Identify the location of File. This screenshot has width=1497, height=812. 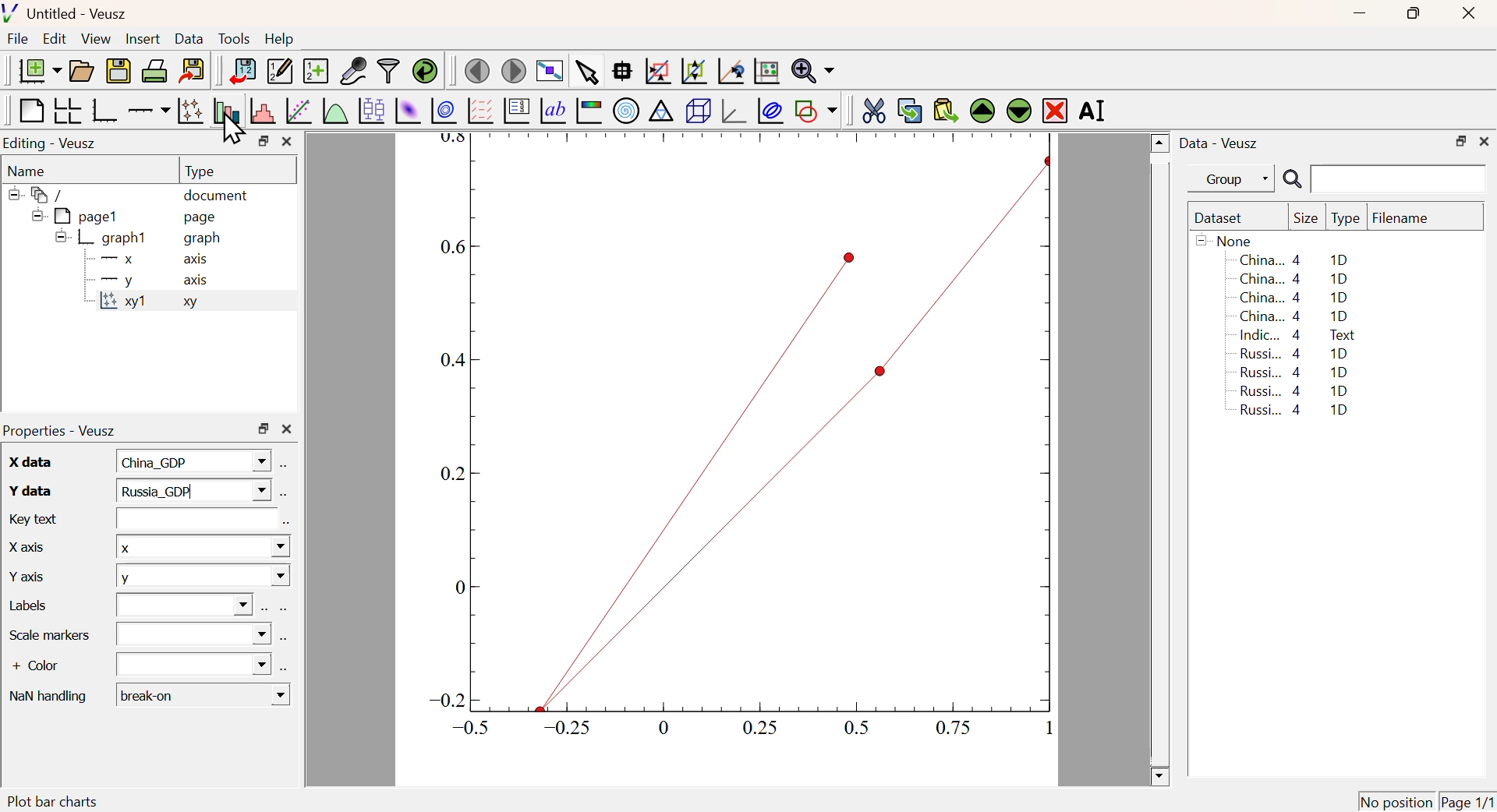
(18, 39).